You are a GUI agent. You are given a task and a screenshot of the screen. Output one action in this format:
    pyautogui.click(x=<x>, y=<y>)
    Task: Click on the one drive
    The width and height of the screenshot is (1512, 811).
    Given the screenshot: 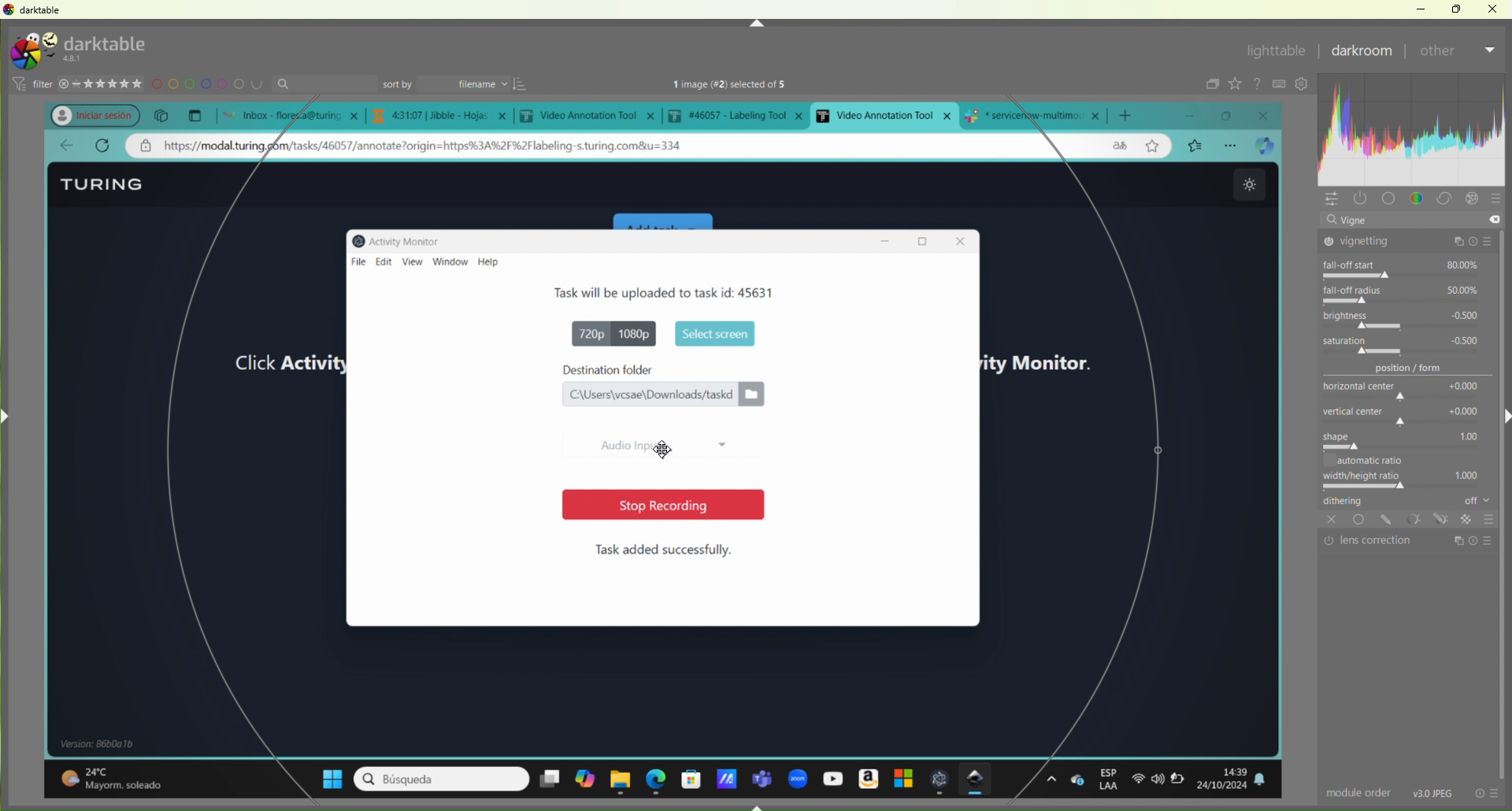 What is the action you would take?
    pyautogui.click(x=1077, y=780)
    